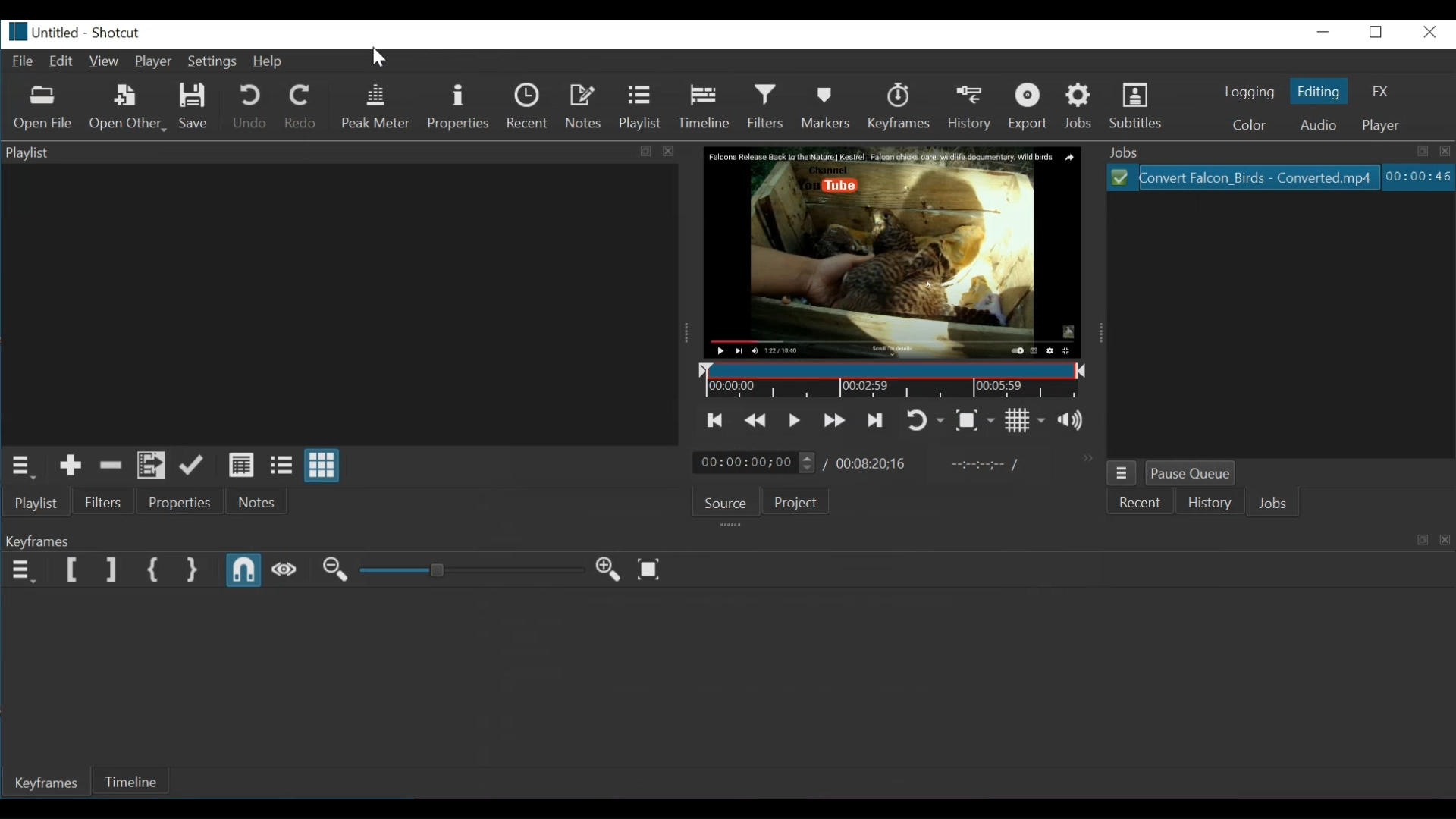  I want to click on Scrub while dragging, so click(285, 573).